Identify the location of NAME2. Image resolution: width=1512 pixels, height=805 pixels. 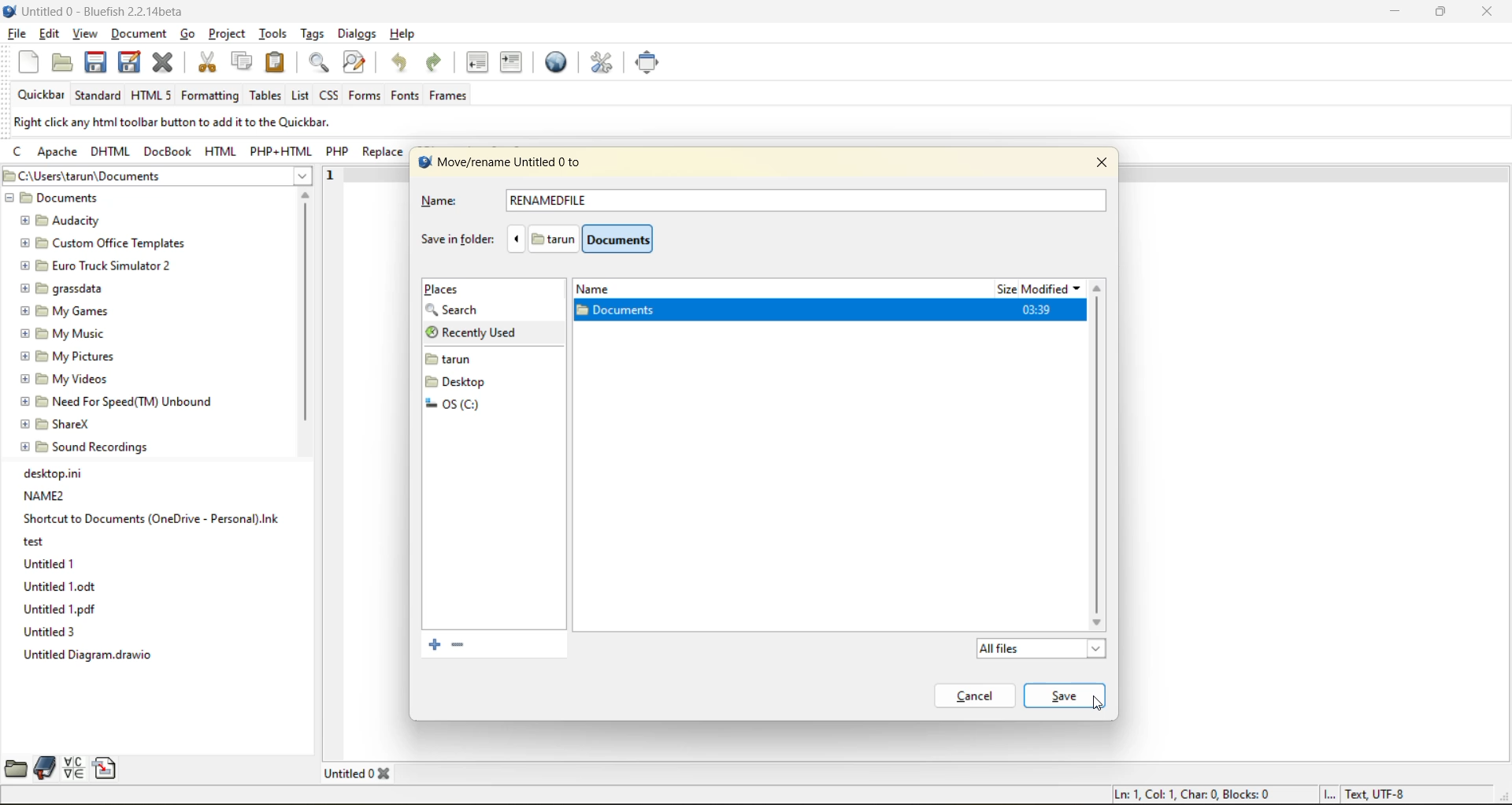
(49, 495).